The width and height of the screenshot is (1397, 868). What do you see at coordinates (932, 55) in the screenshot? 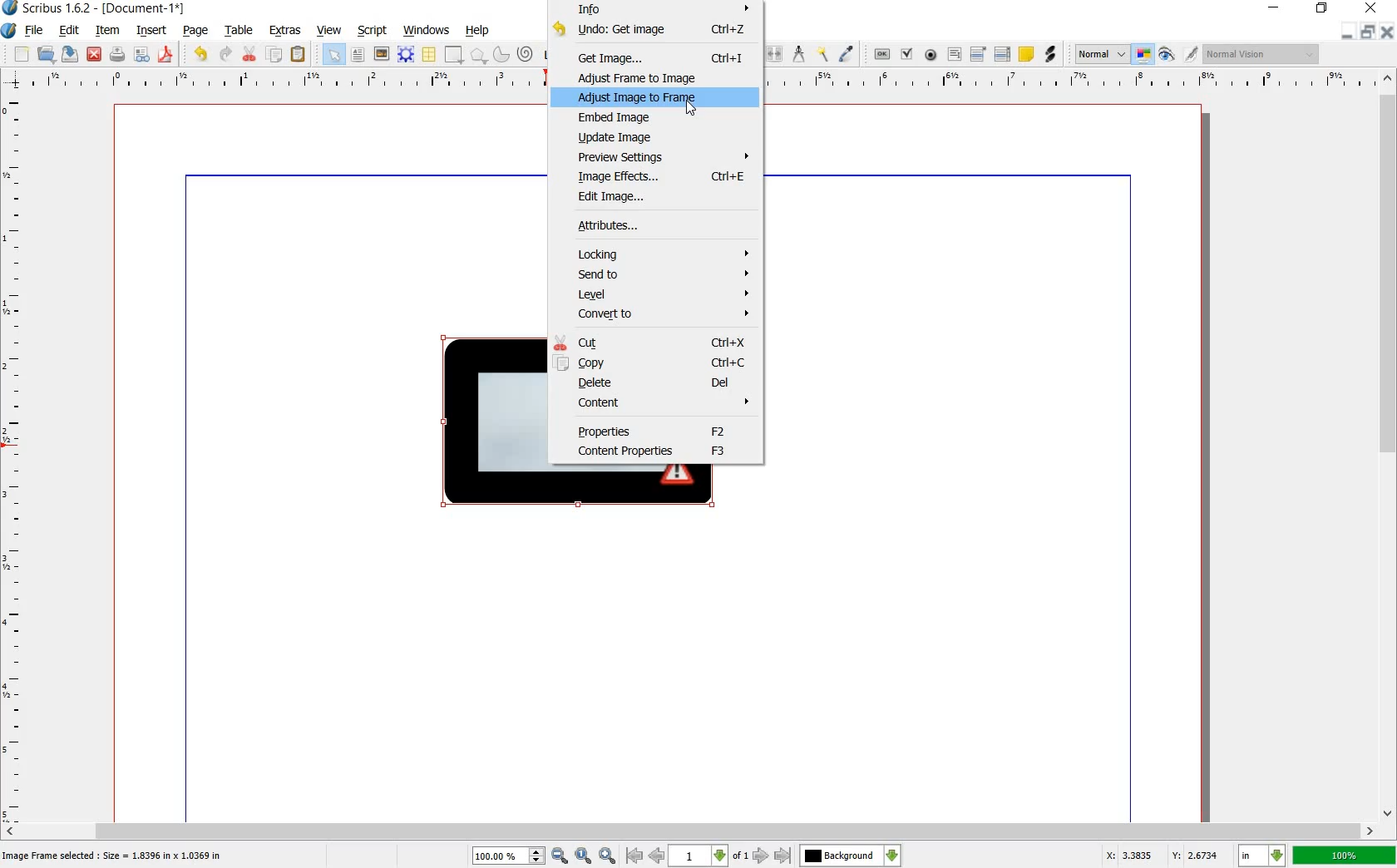
I see `pdf radio button` at bounding box center [932, 55].